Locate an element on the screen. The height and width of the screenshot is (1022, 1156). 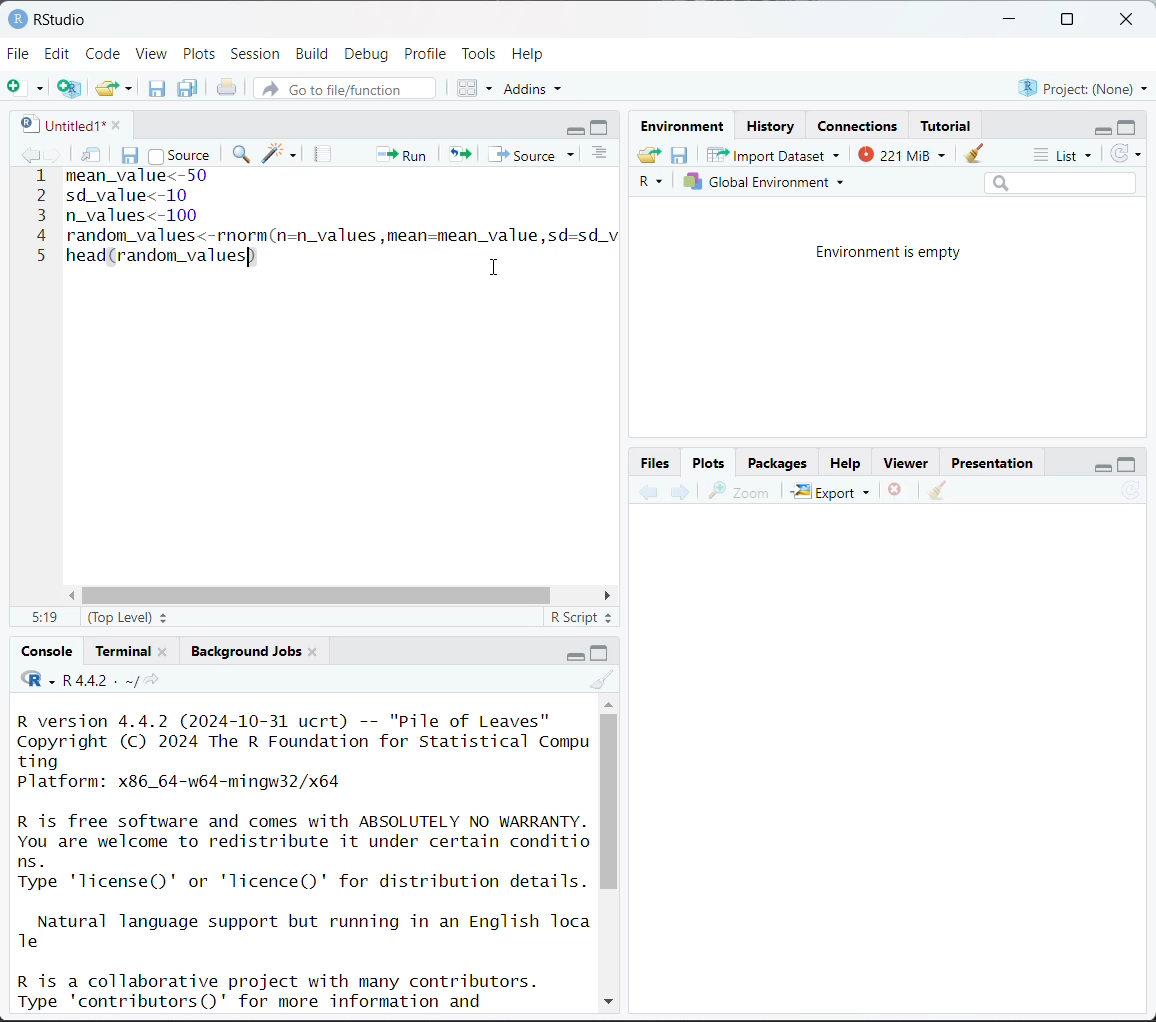
untitled1 is located at coordinates (58, 124).